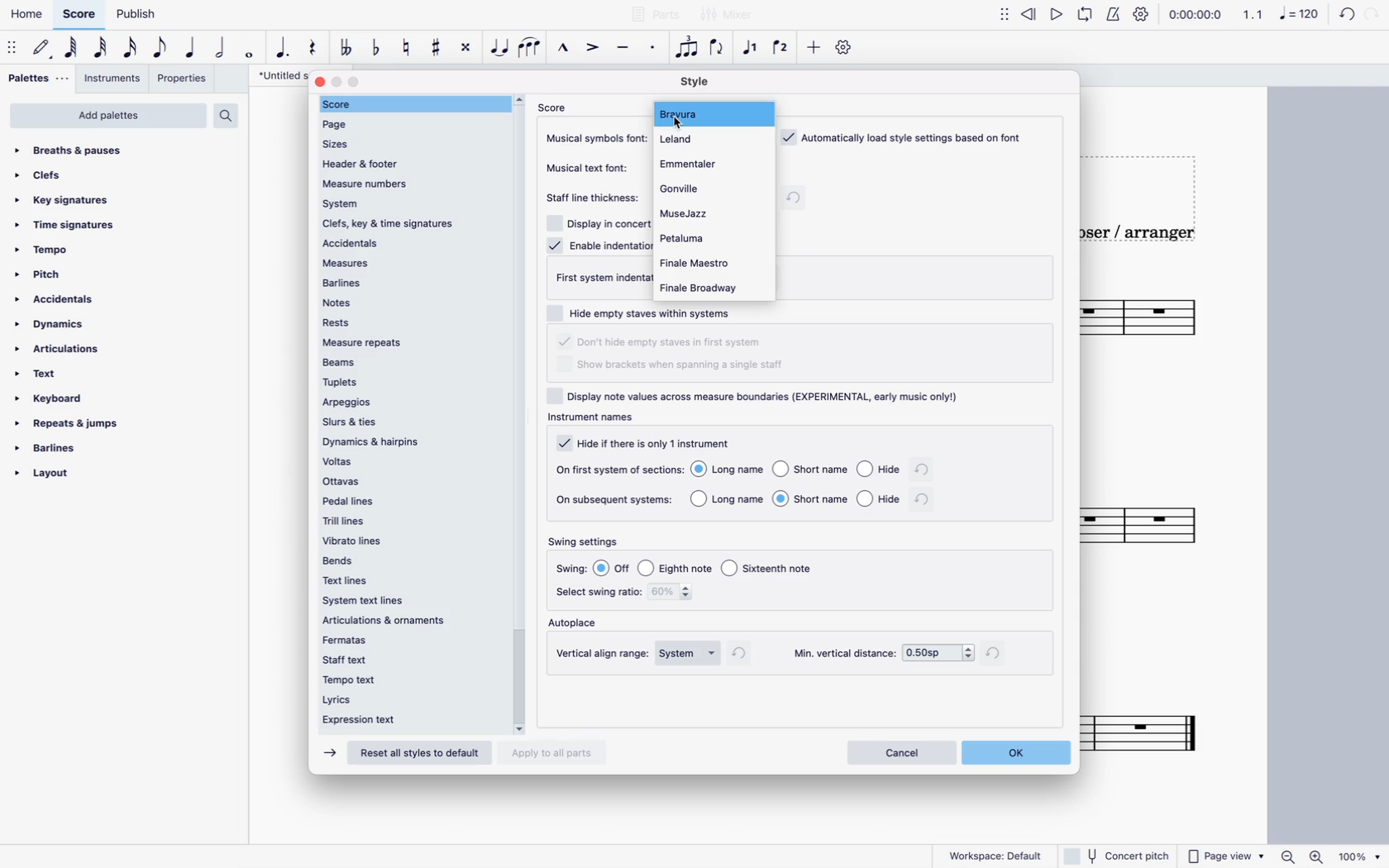  Describe the element at coordinates (409, 45) in the screenshot. I see `tune` at that location.